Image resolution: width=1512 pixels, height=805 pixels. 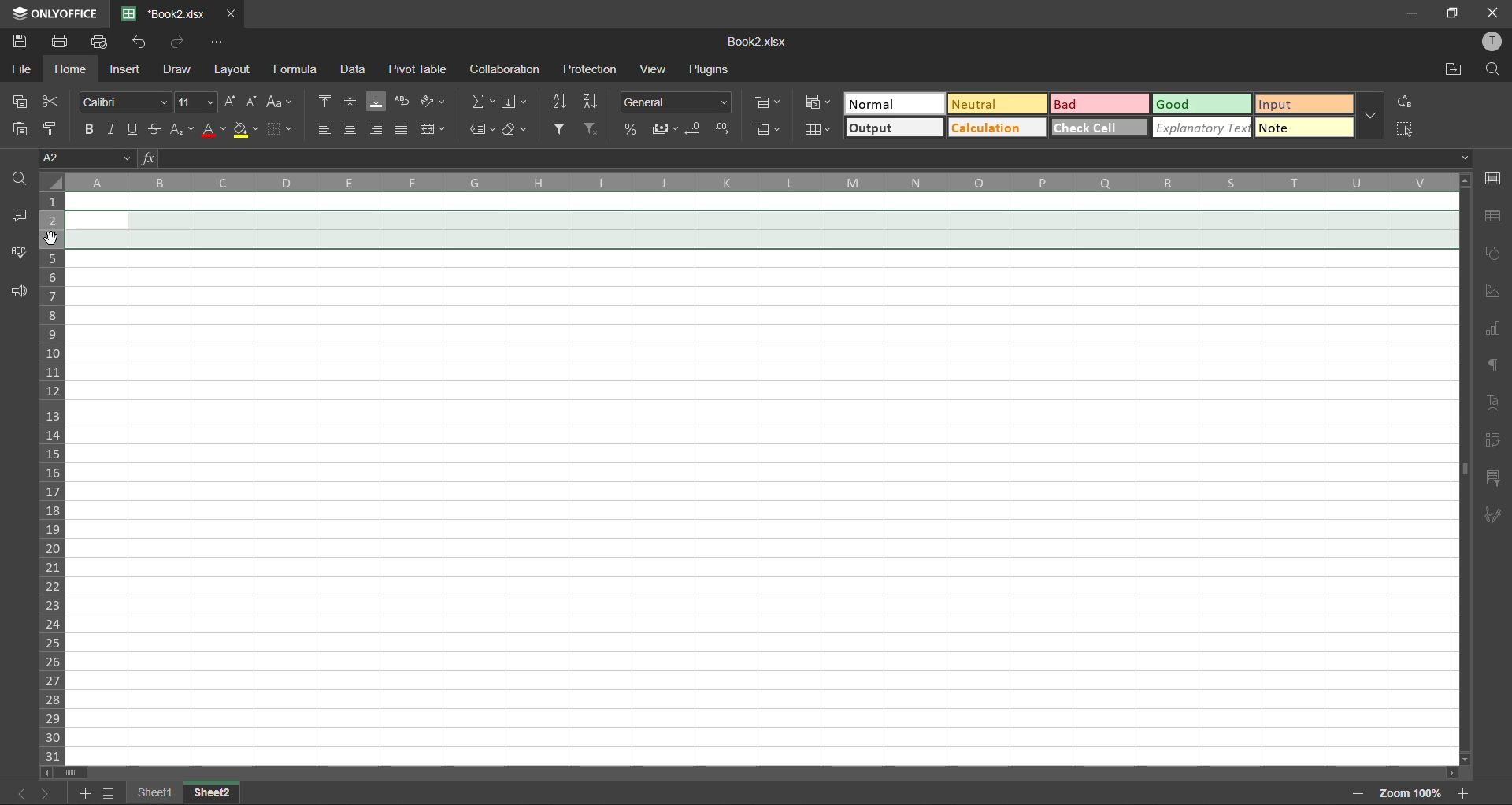 What do you see at coordinates (20, 130) in the screenshot?
I see `paste` at bounding box center [20, 130].